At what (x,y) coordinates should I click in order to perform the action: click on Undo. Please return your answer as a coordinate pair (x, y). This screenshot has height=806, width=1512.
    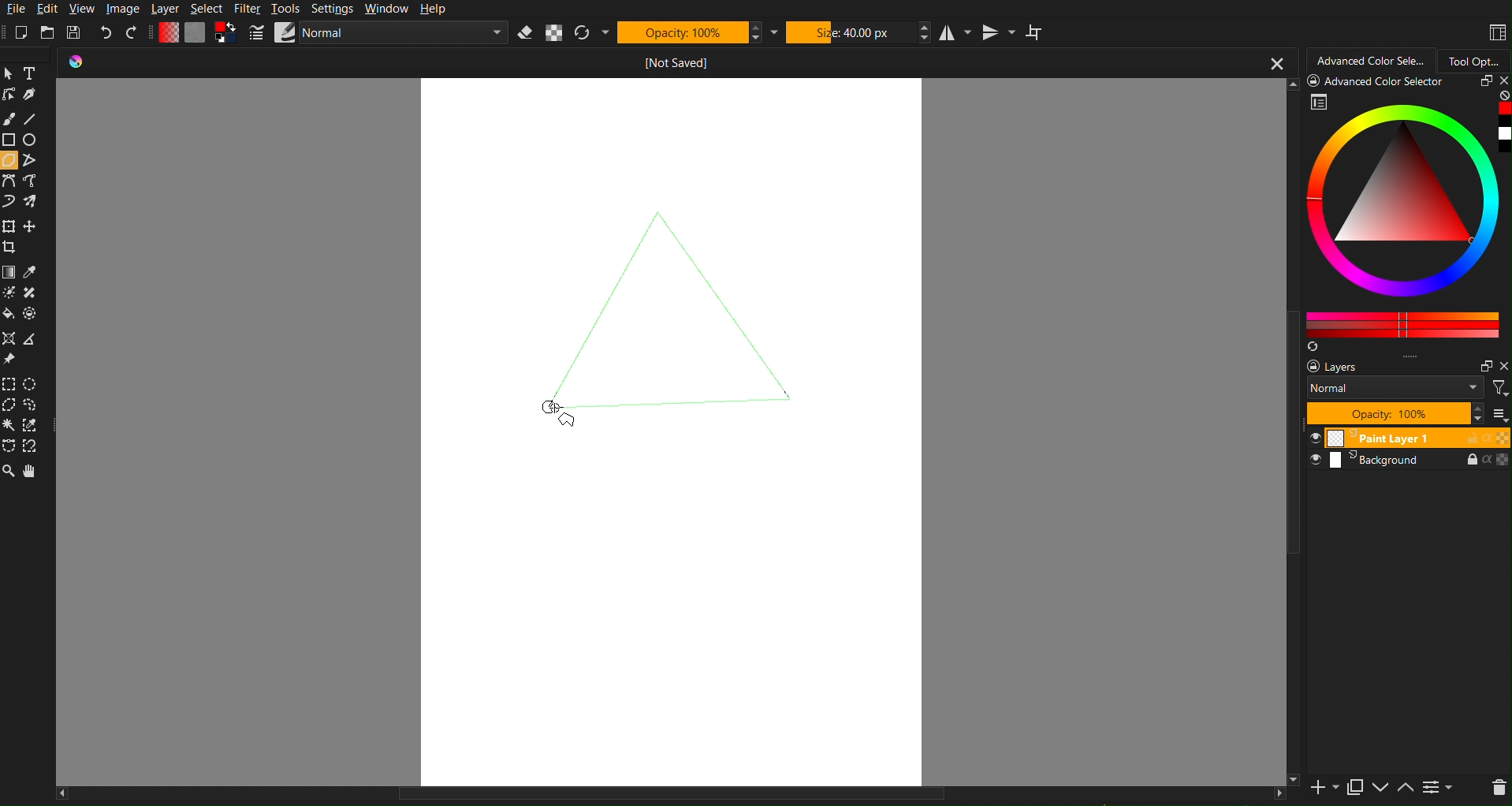
    Looking at the image, I should click on (106, 33).